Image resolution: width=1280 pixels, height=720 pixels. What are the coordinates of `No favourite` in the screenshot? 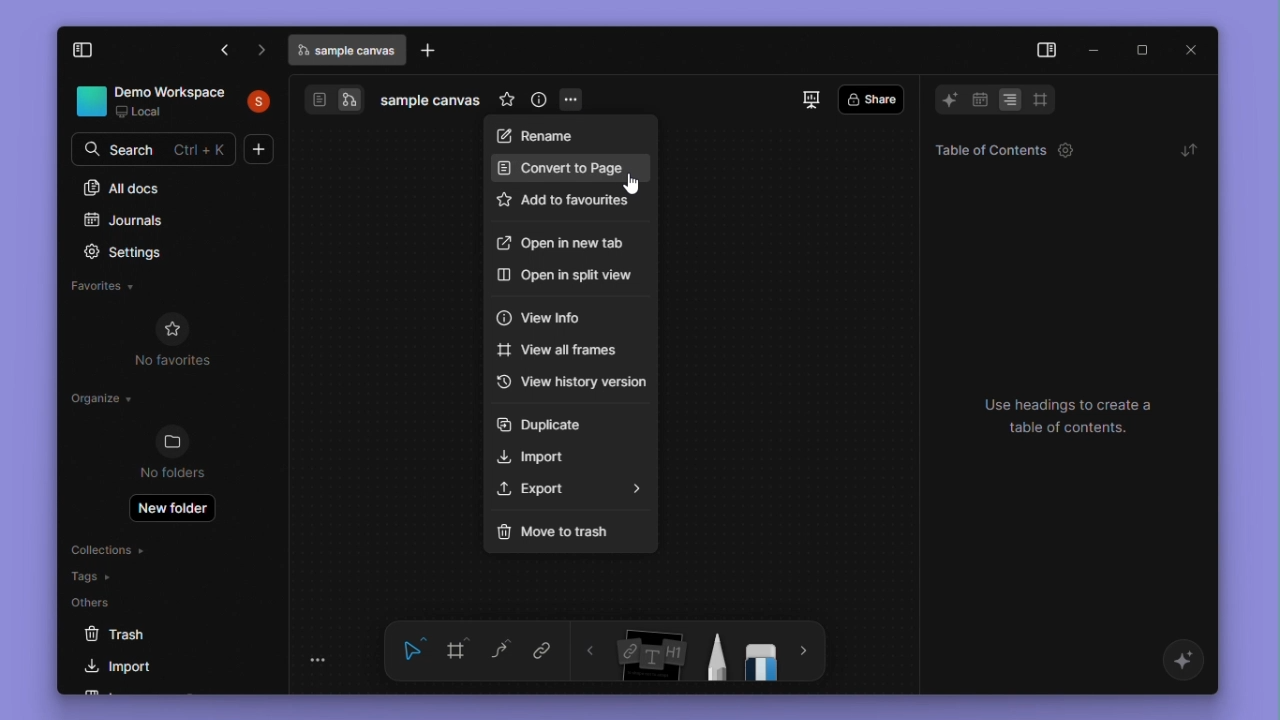 It's located at (183, 340).